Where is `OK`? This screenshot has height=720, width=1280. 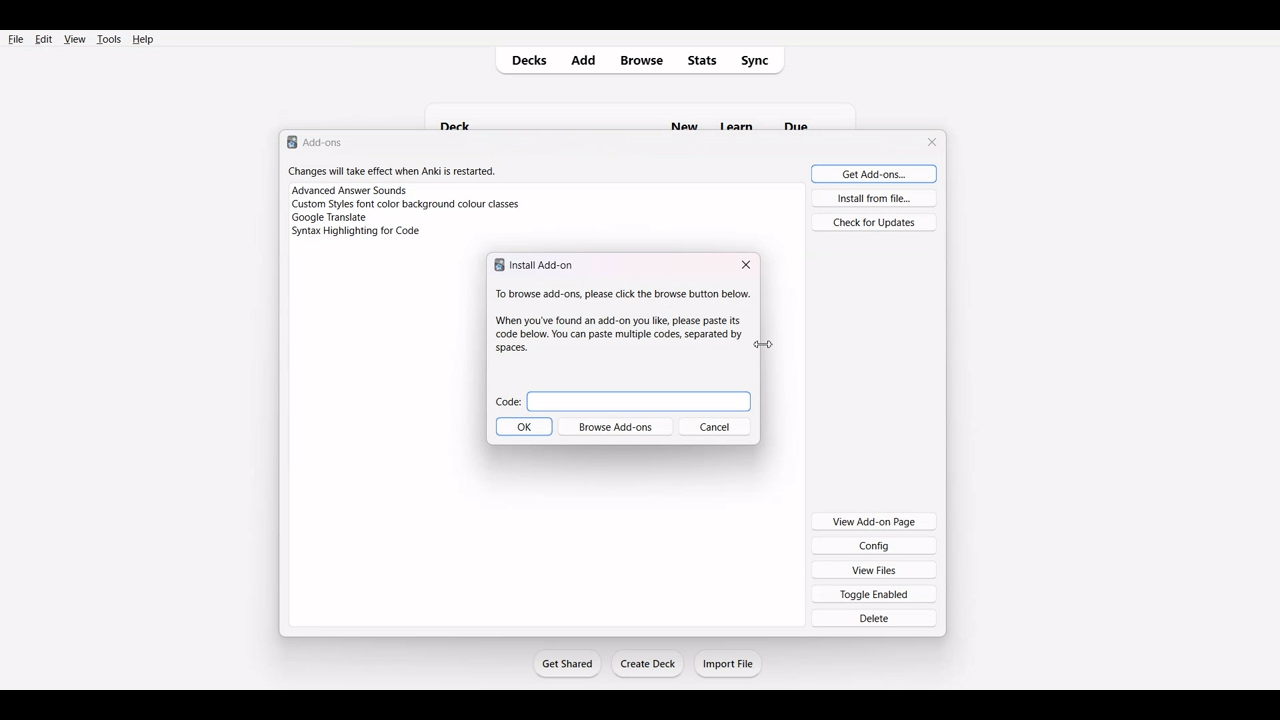
OK is located at coordinates (523, 428).